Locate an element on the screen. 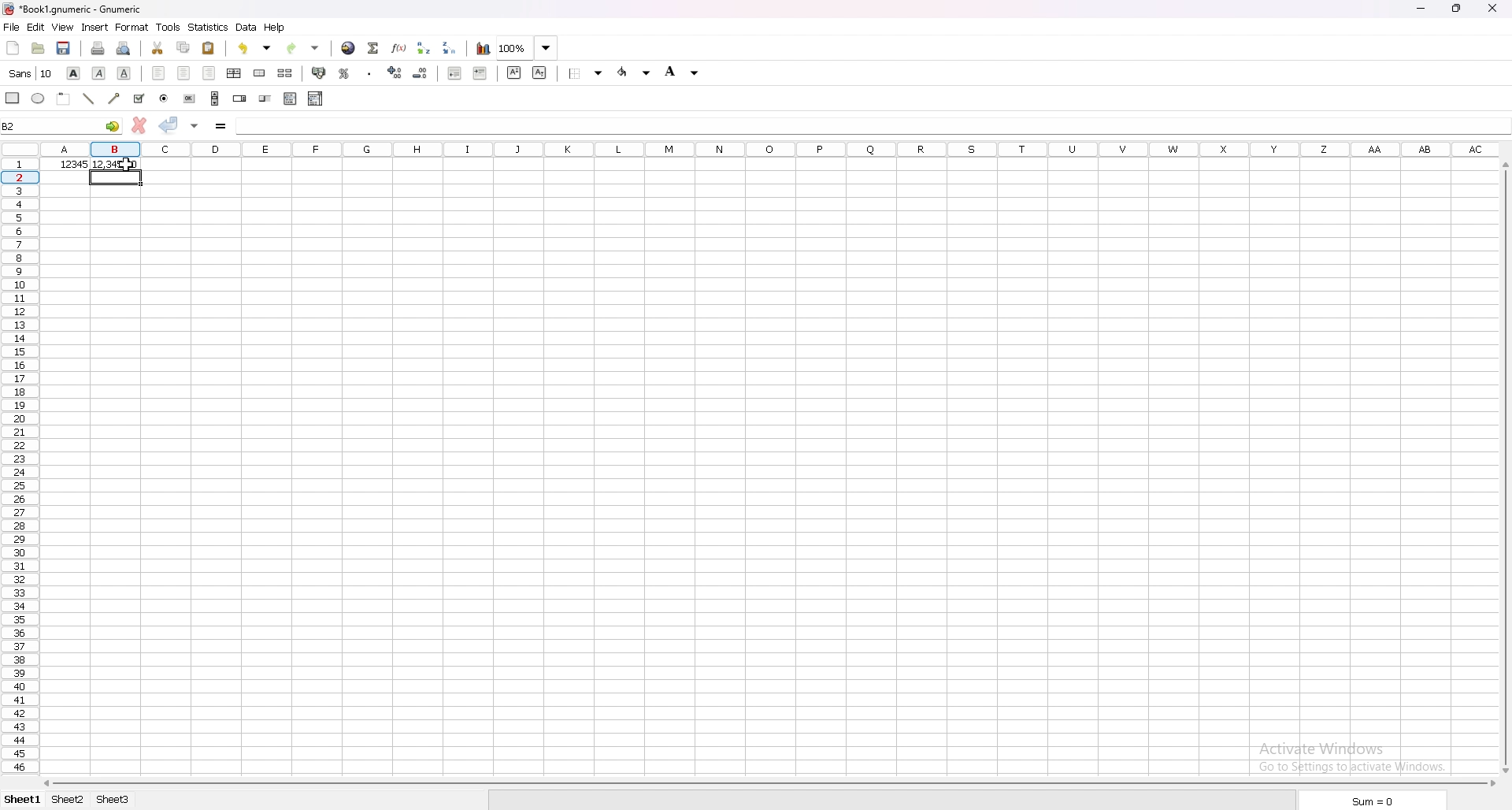  arrowed line is located at coordinates (116, 98).